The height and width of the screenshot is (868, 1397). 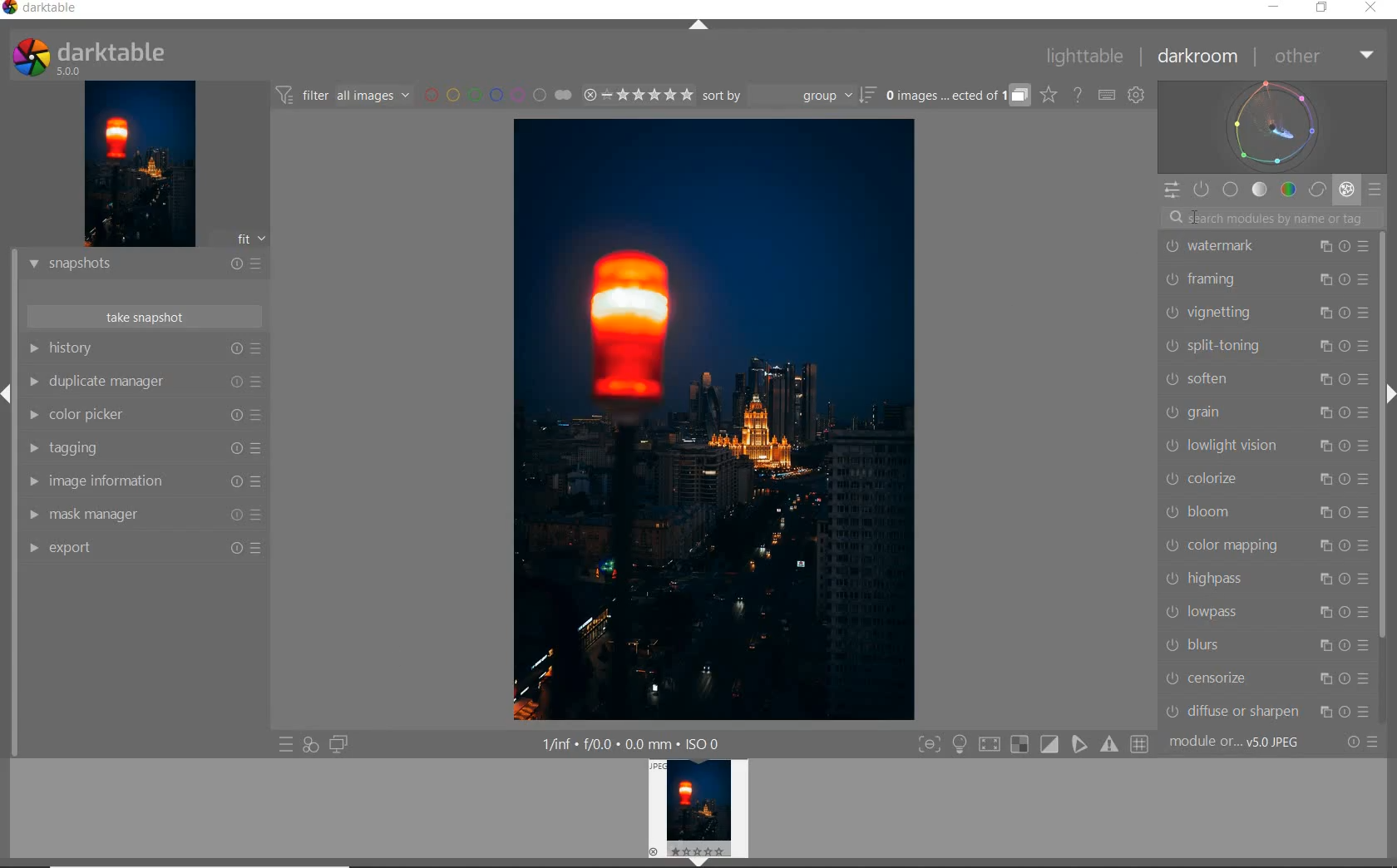 What do you see at coordinates (259, 483) in the screenshot?
I see `Preset and reset` at bounding box center [259, 483].